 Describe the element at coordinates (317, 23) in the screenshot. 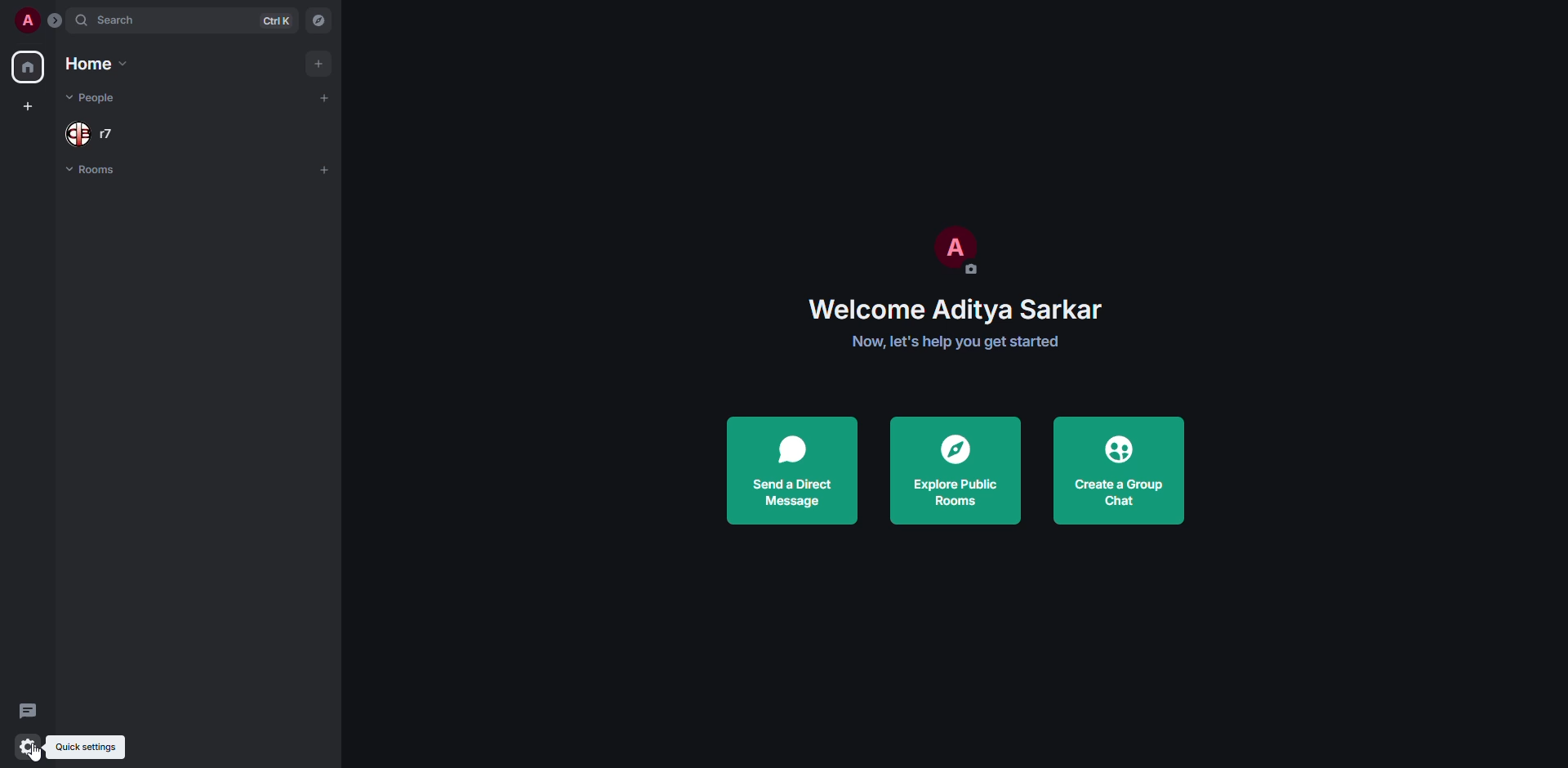

I see `navigator` at that location.